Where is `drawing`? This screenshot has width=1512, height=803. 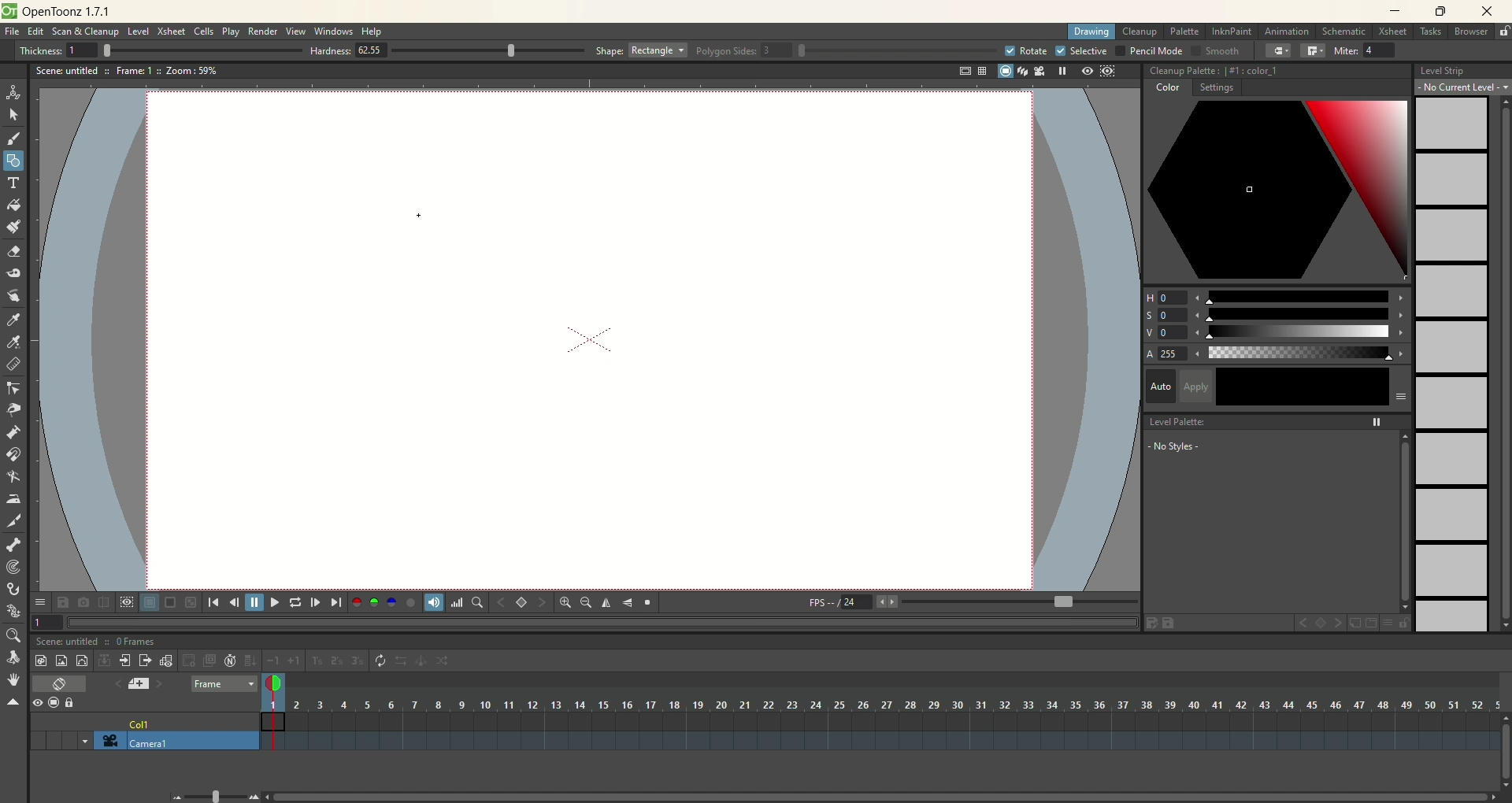 drawing is located at coordinates (1092, 32).